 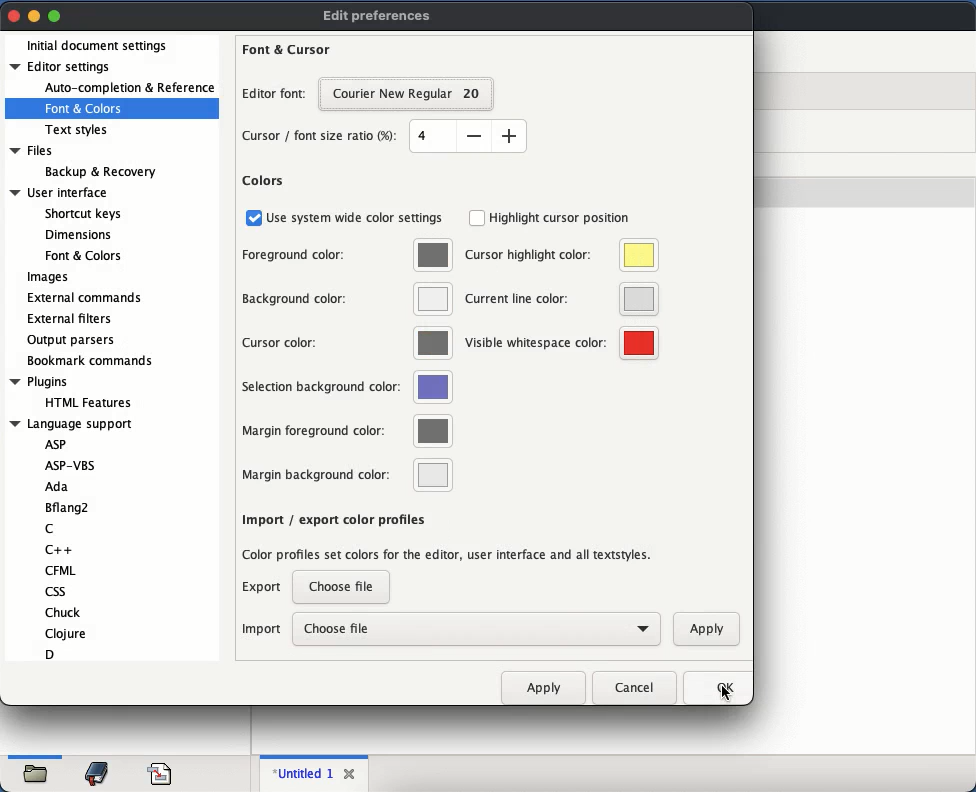 I want to click on Clojure, so click(x=66, y=633).